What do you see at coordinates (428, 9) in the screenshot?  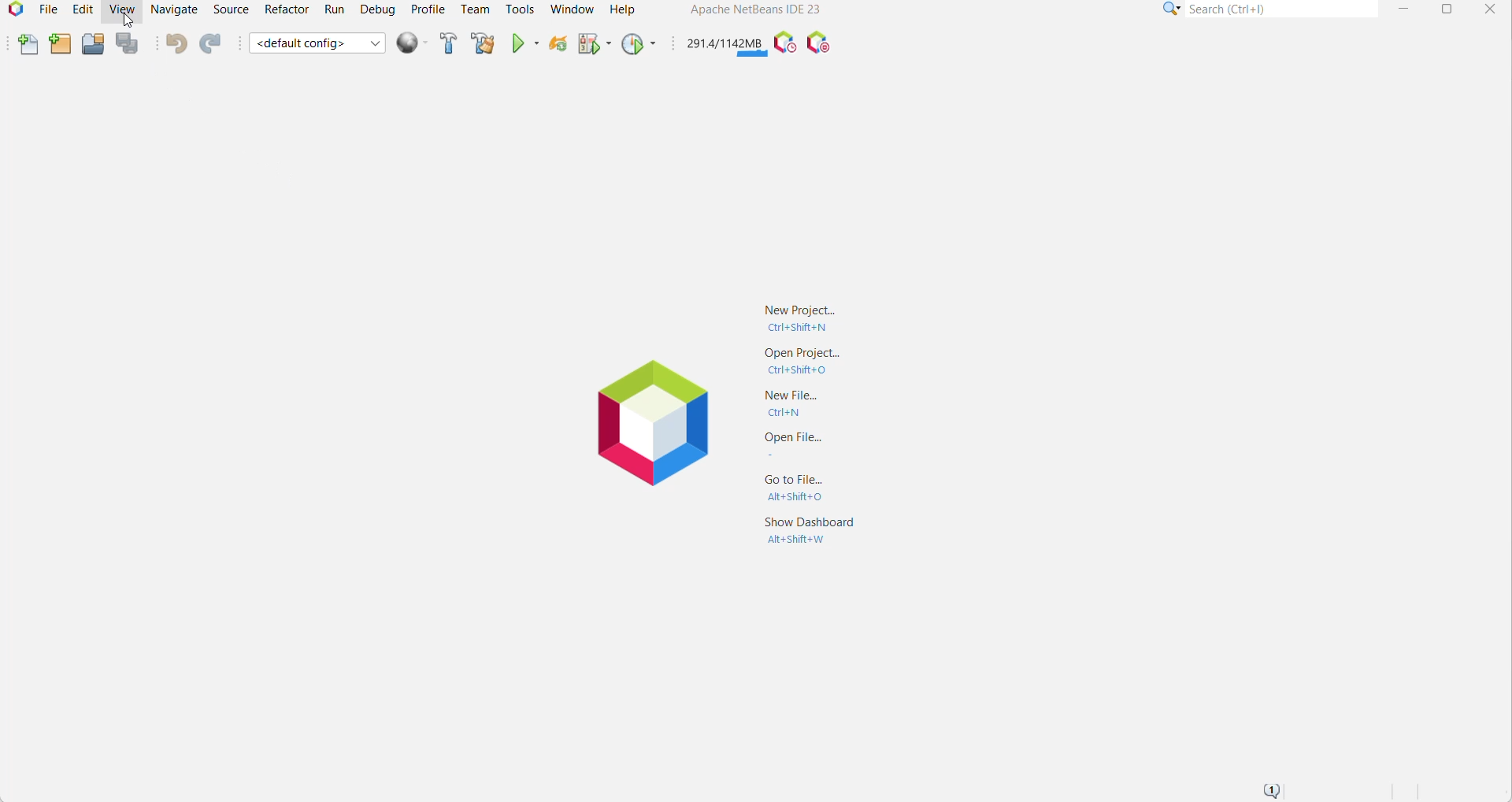 I see `Profile` at bounding box center [428, 9].